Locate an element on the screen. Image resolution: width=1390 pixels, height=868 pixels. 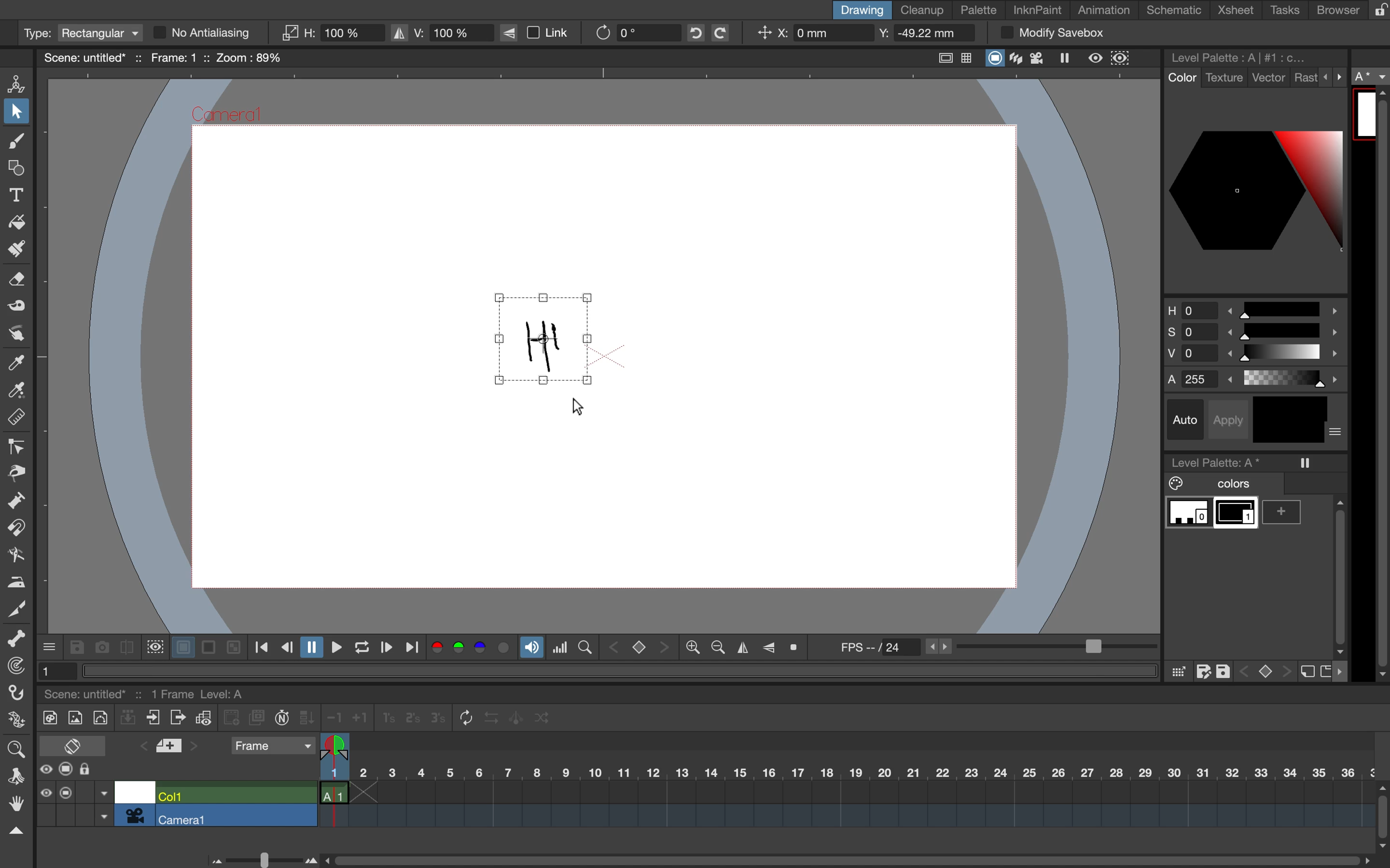
scene name and scene details is located at coordinates (163, 57).